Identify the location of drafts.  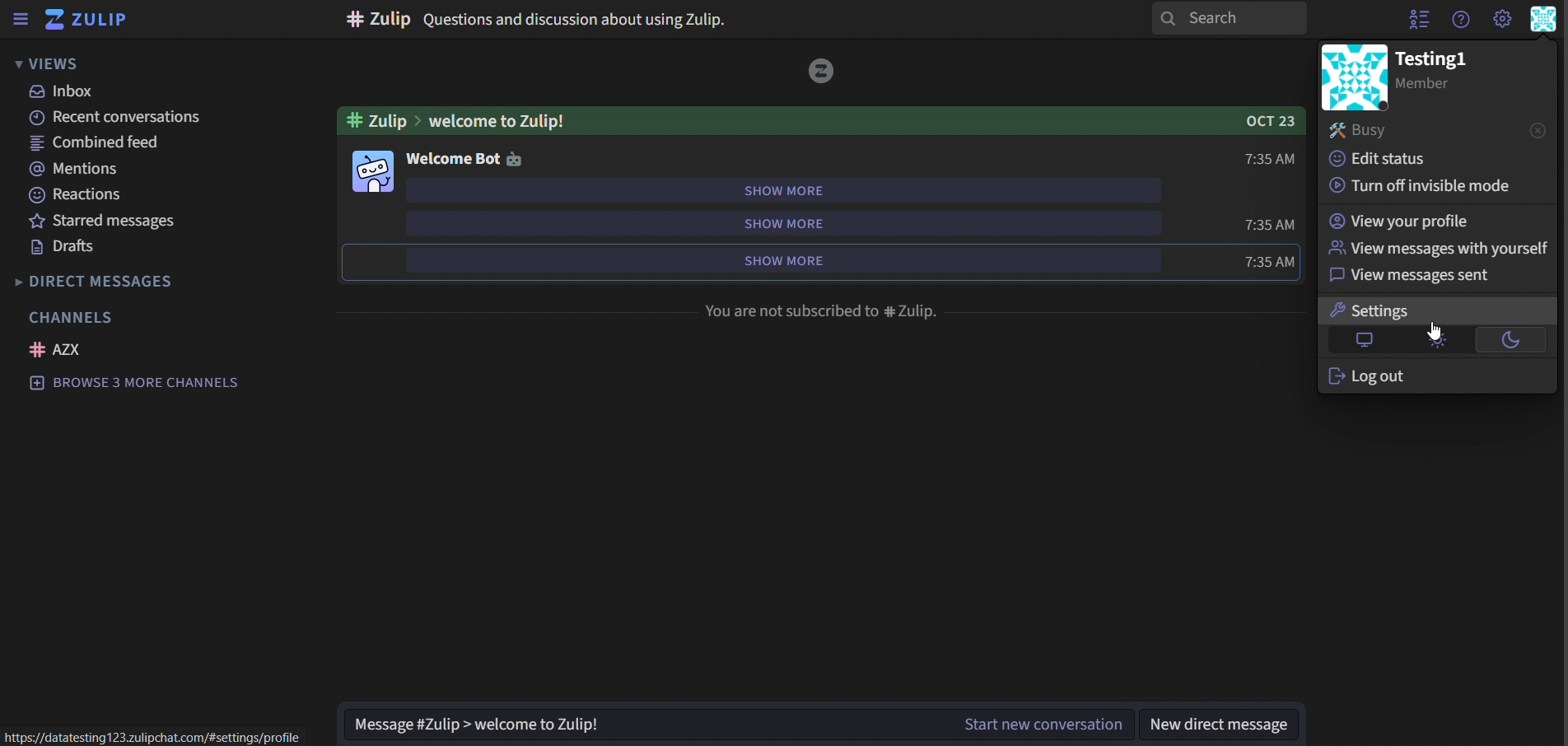
(61, 247).